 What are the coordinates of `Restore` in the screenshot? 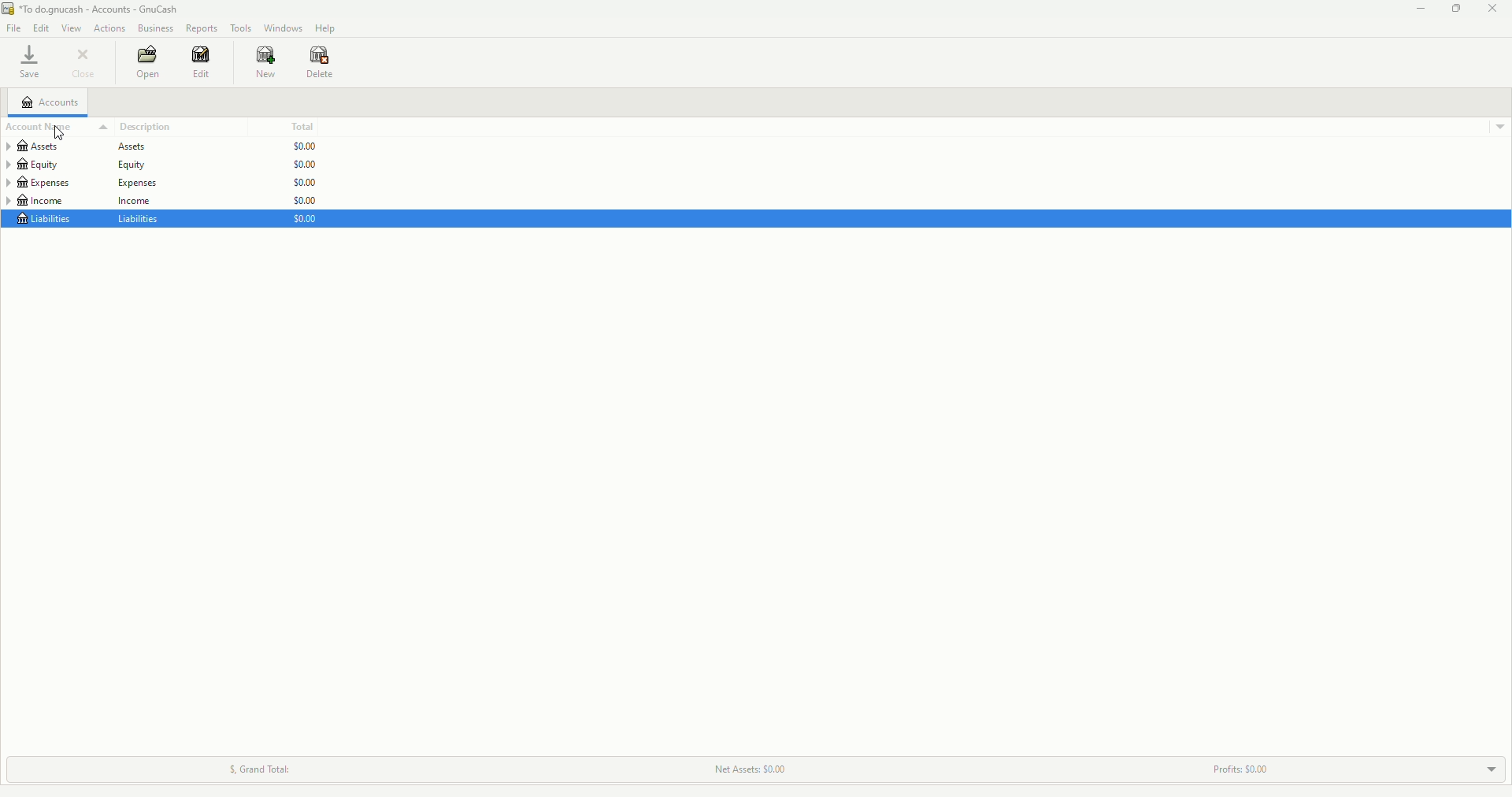 It's located at (1455, 8).